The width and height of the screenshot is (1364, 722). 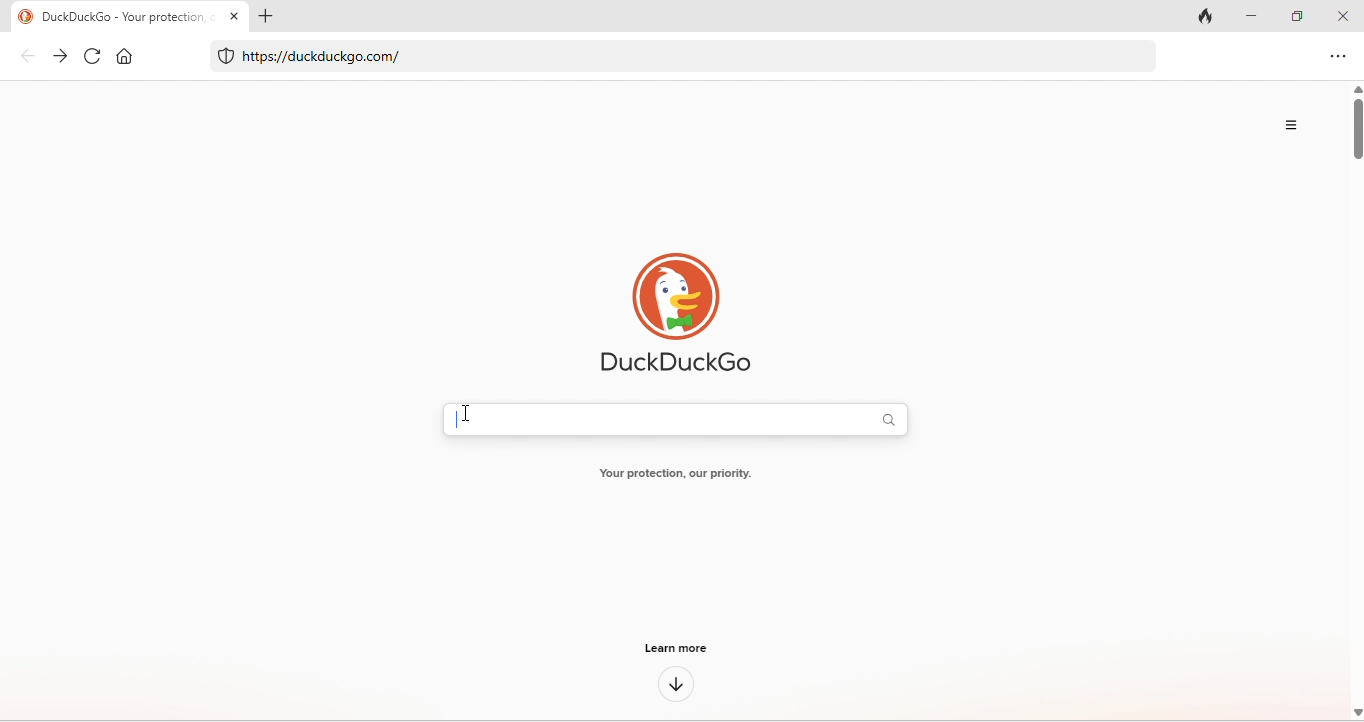 What do you see at coordinates (1345, 13) in the screenshot?
I see `close` at bounding box center [1345, 13].